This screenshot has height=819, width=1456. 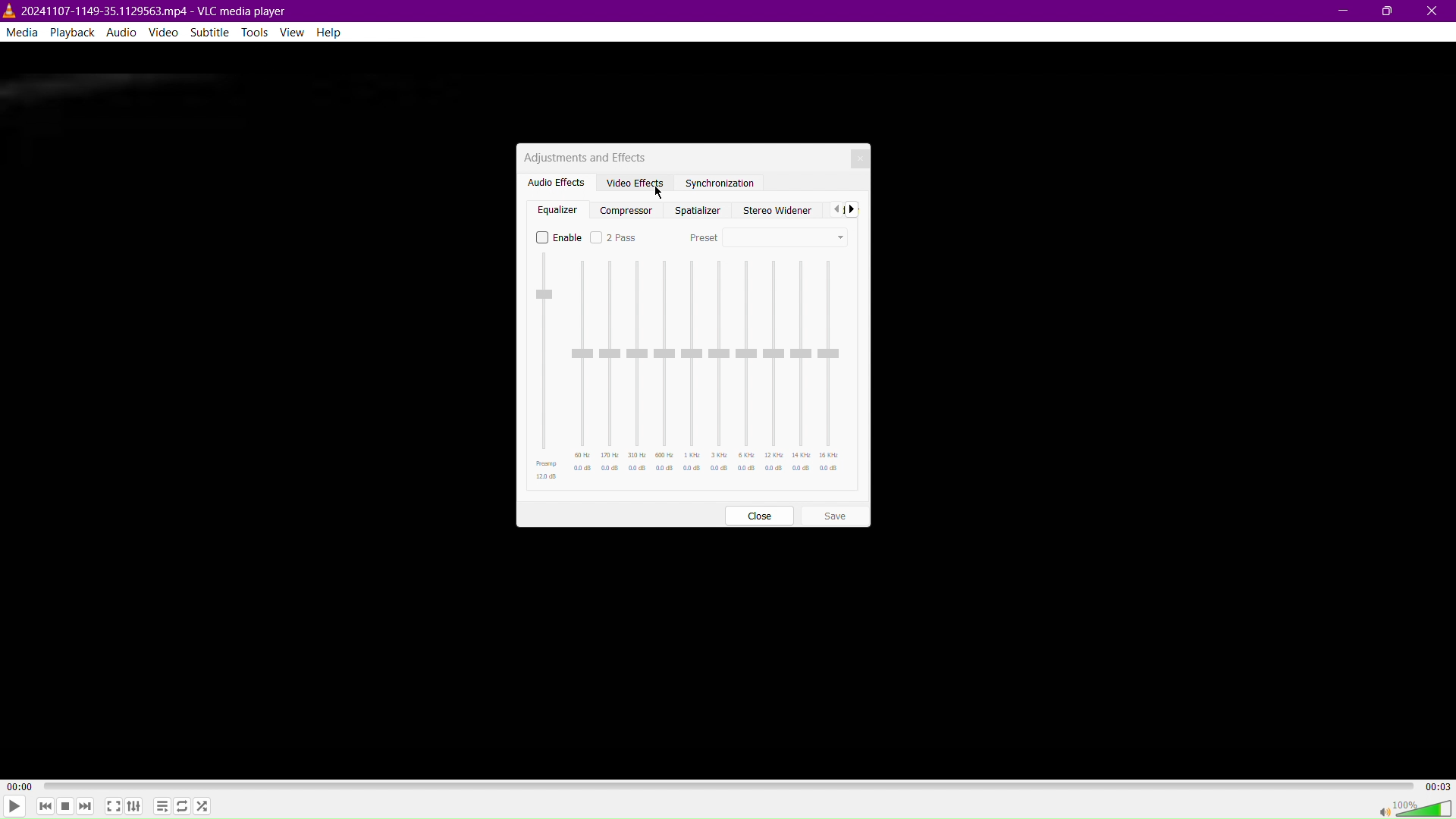 I want to click on Toggle playlist, so click(x=160, y=805).